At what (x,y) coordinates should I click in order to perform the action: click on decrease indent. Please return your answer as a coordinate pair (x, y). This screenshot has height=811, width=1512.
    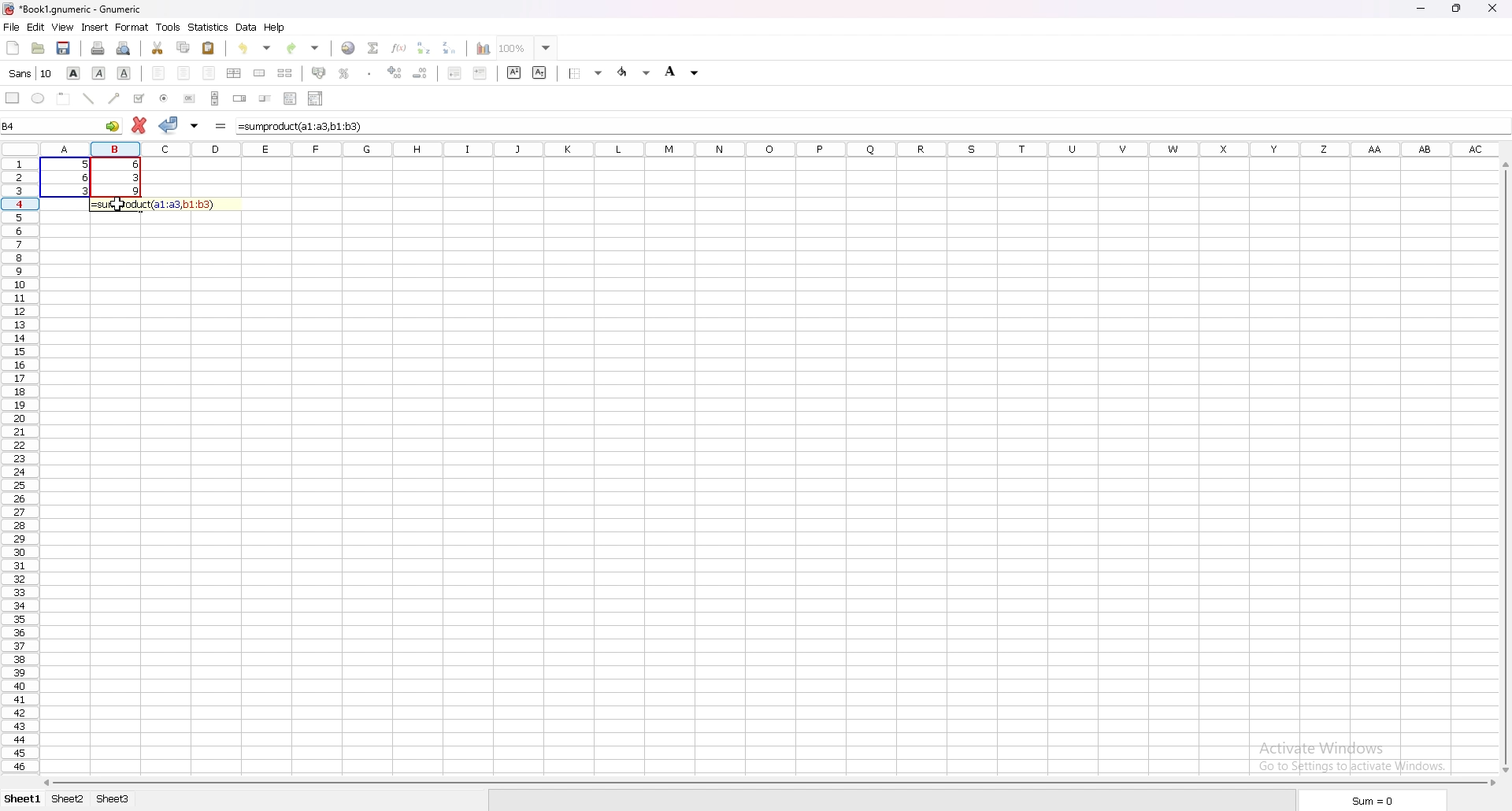
    Looking at the image, I should click on (454, 72).